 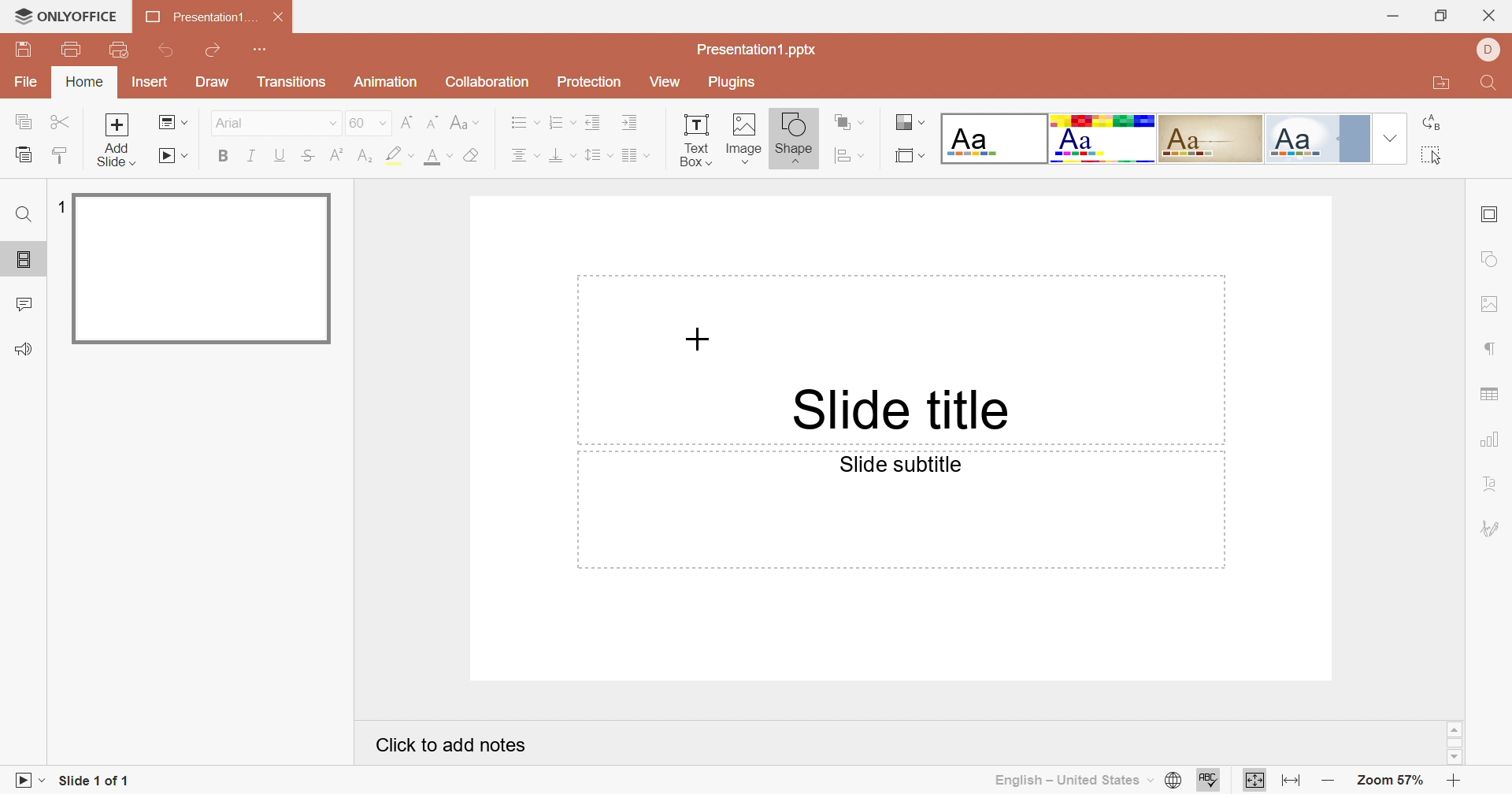 What do you see at coordinates (1316, 139) in the screenshot?
I see `Official` at bounding box center [1316, 139].